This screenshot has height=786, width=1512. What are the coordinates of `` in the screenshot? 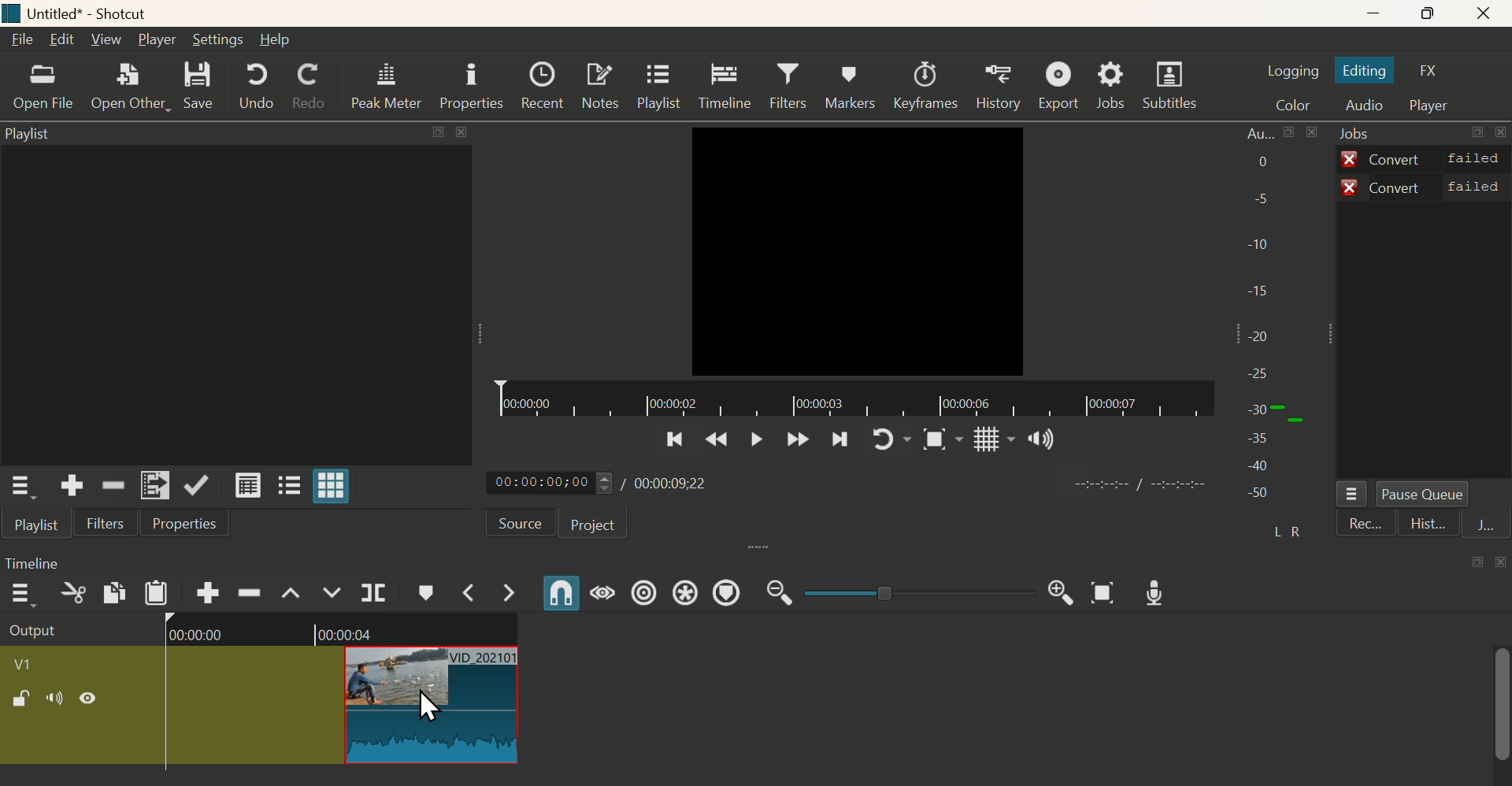 It's located at (1158, 593).